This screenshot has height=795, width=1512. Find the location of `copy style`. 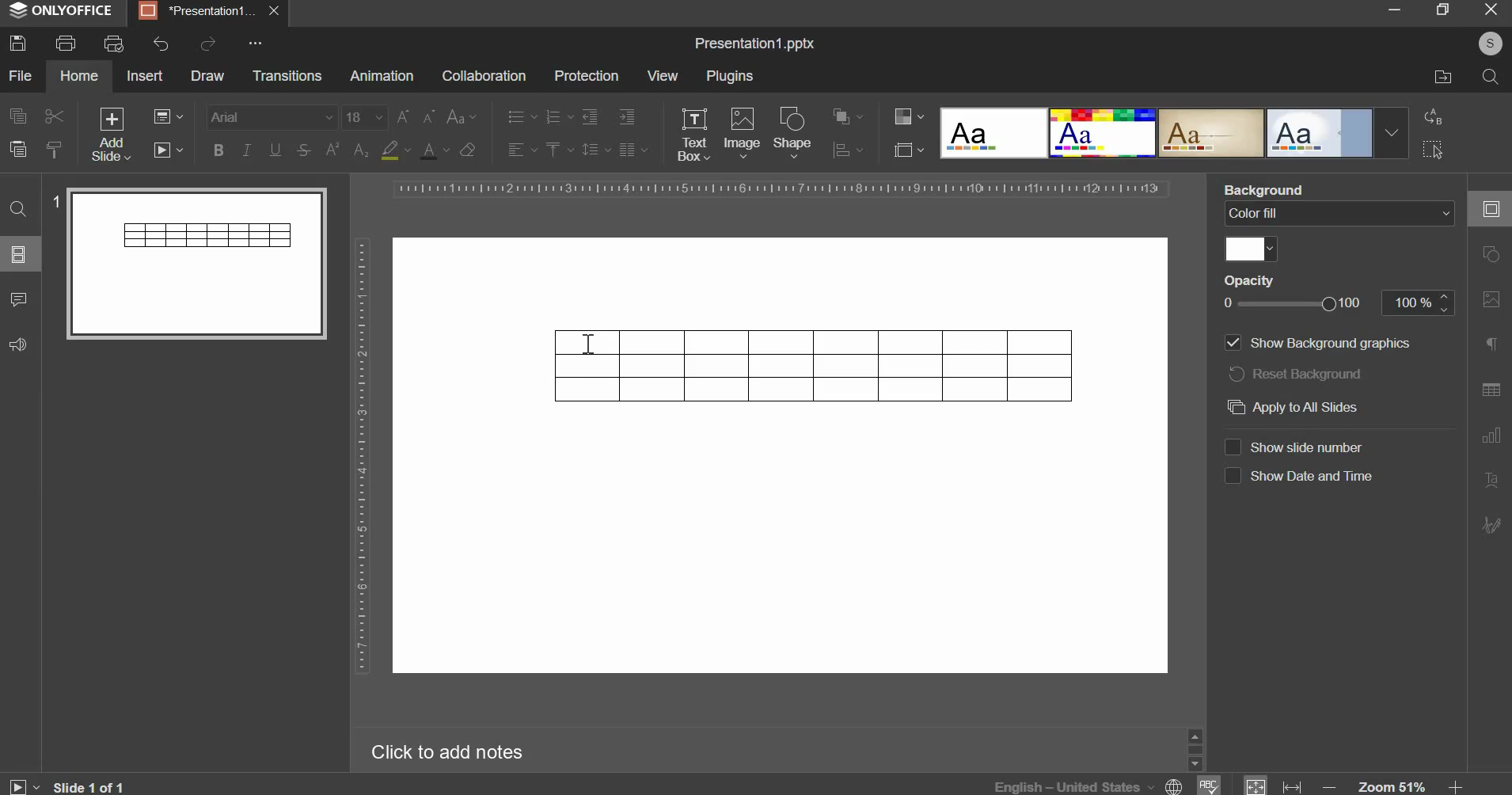

copy style is located at coordinates (56, 150).